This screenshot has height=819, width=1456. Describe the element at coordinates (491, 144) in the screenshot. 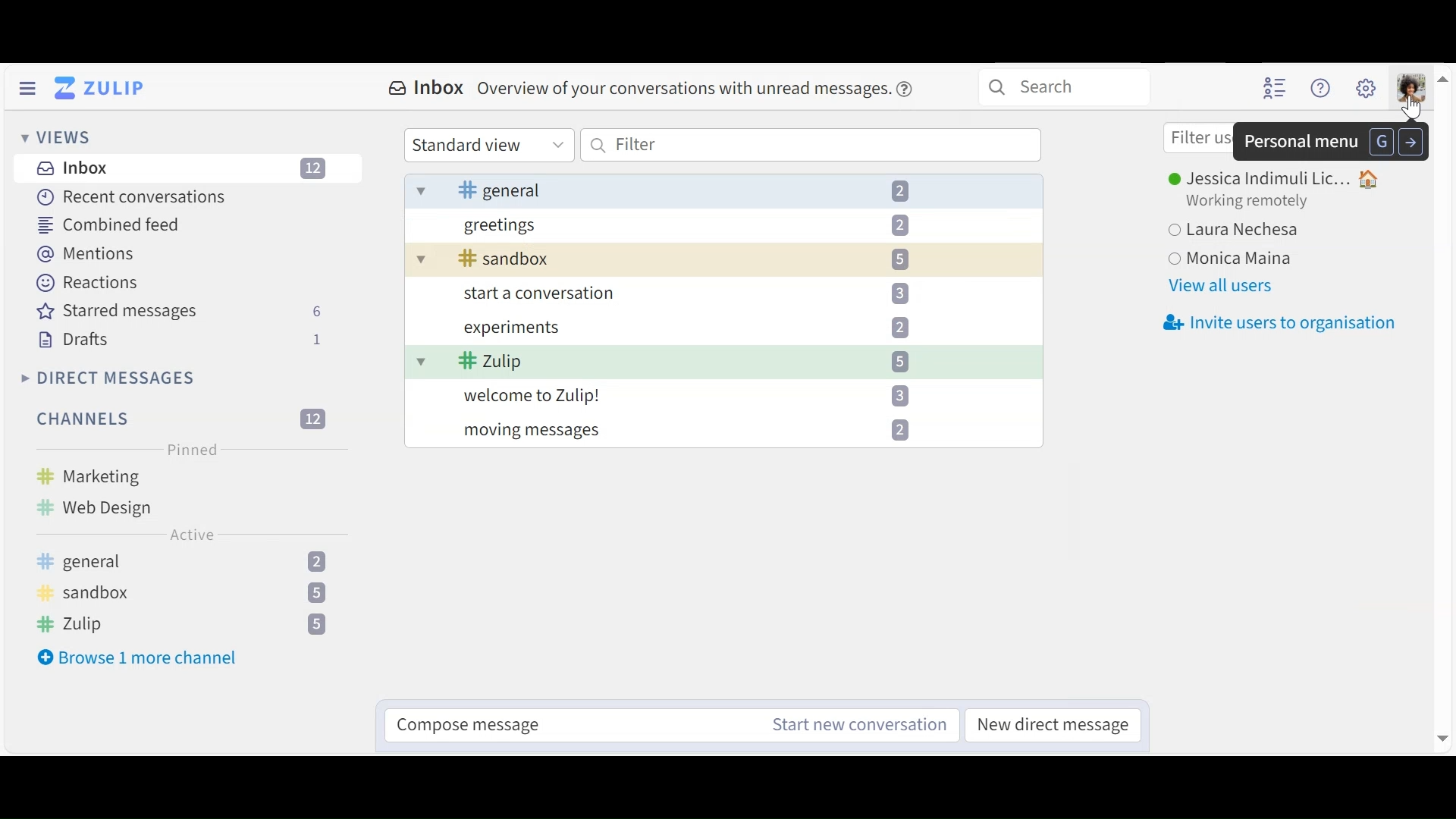

I see `Standard View` at that location.